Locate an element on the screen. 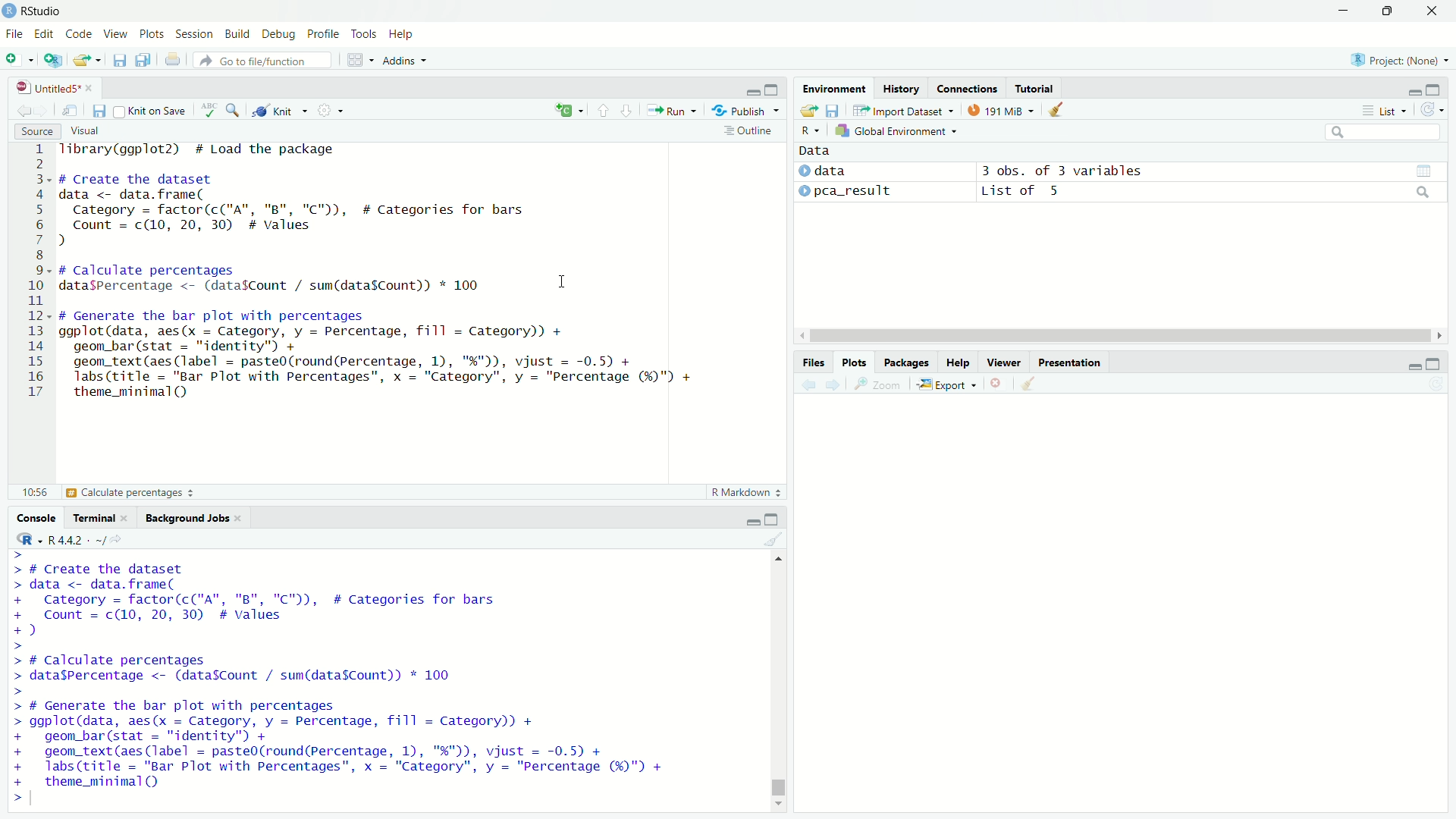  code -- # Create the datasetdata <- data.frame(Category = factor(c("A", "B", "C™)), # Categories for barsCount = c(10, 20, 30) # valuesJ# Calculate percentagesdata$Percentage <- (dataSCount / sum(data$Count)) * 100# Generate the bar plot with percentagesggplot(data, aes(x = Category, y = Percentage, fill = Category)) +geom_bar (stat = "identity" +geom_text (aes (label = paste0(round(Percentage, 1), "%")), vjust = -0.5) +Tabs(title = "Bar Plot with Percentages", x = "Category", y = "Percentage (¥)") +theme_minimal QO1 is located at coordinates (355, 679).